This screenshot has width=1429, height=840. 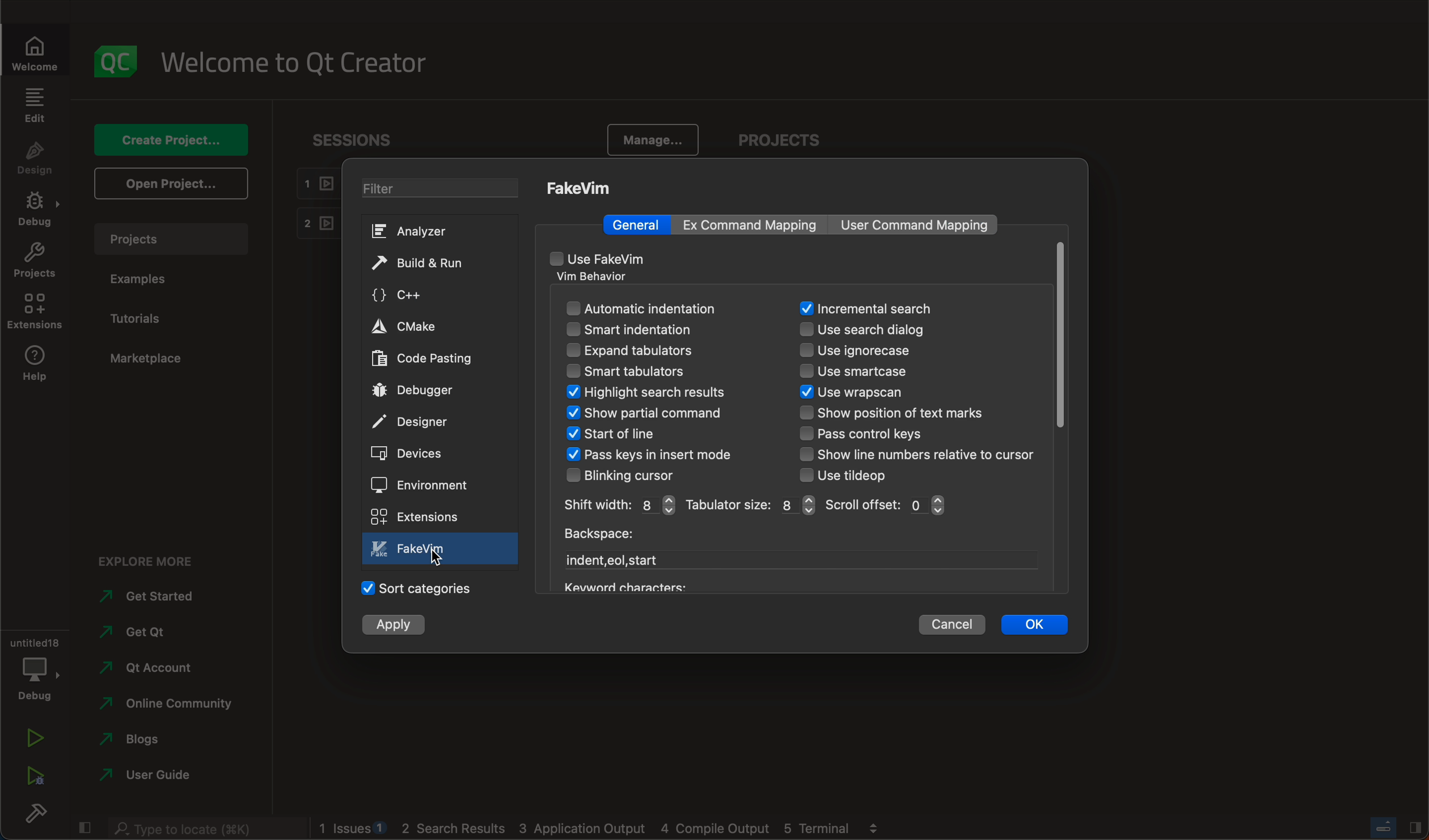 I want to click on filter, so click(x=443, y=190).